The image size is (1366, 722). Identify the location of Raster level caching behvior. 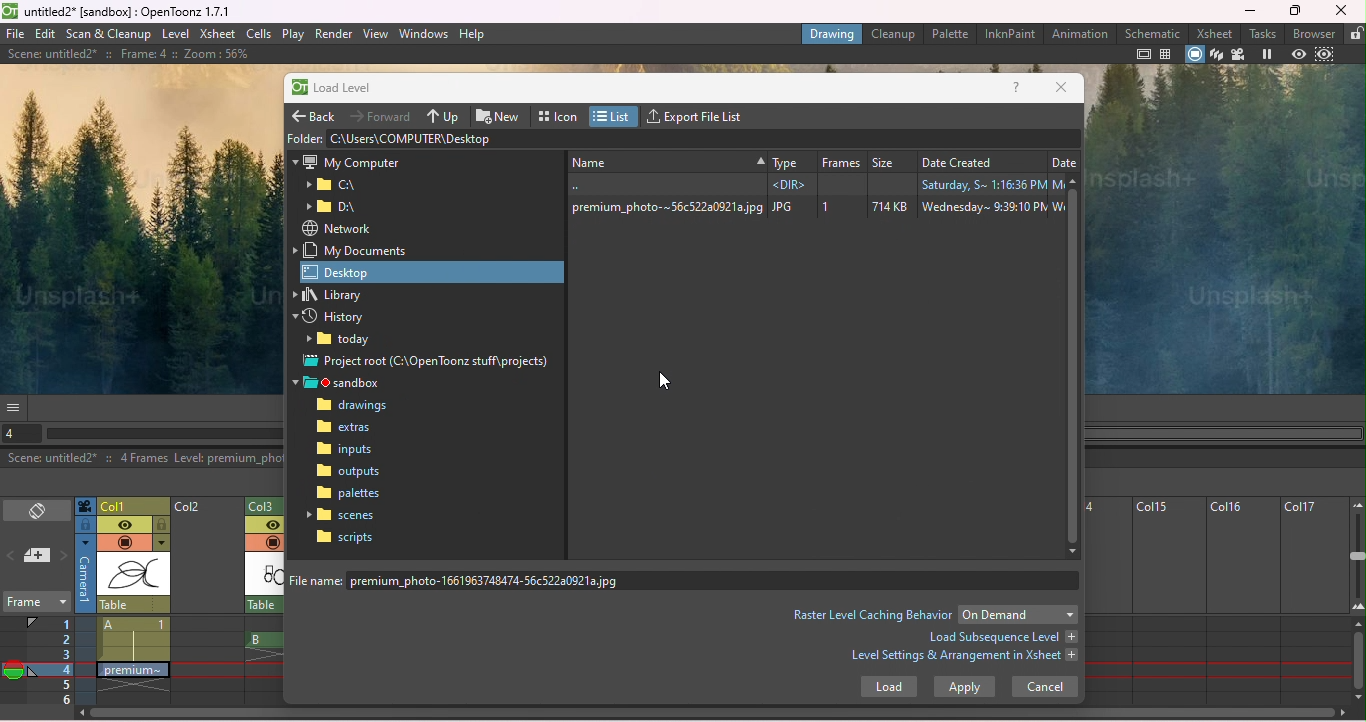
(872, 614).